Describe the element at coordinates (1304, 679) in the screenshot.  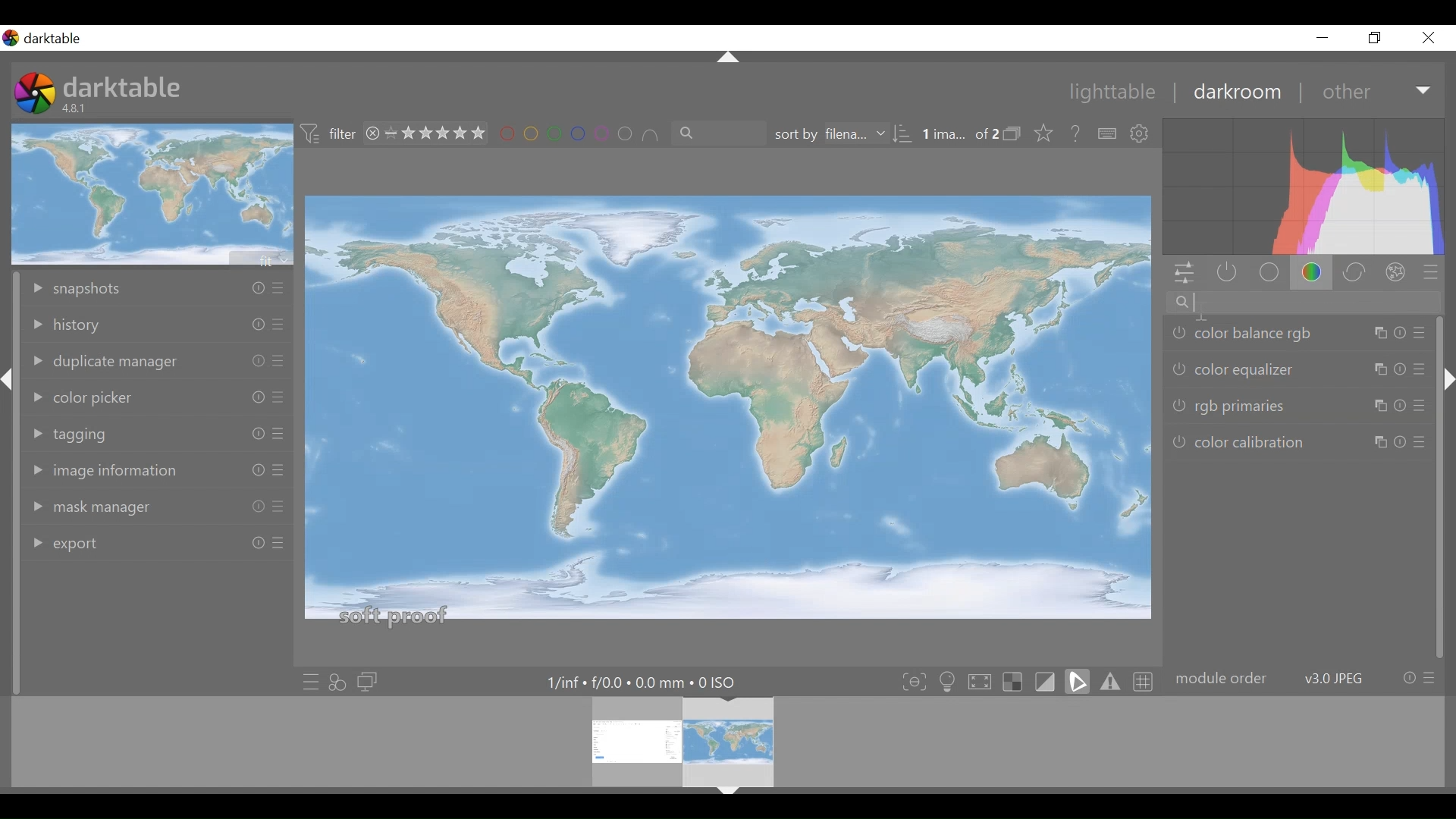
I see `module order` at that location.